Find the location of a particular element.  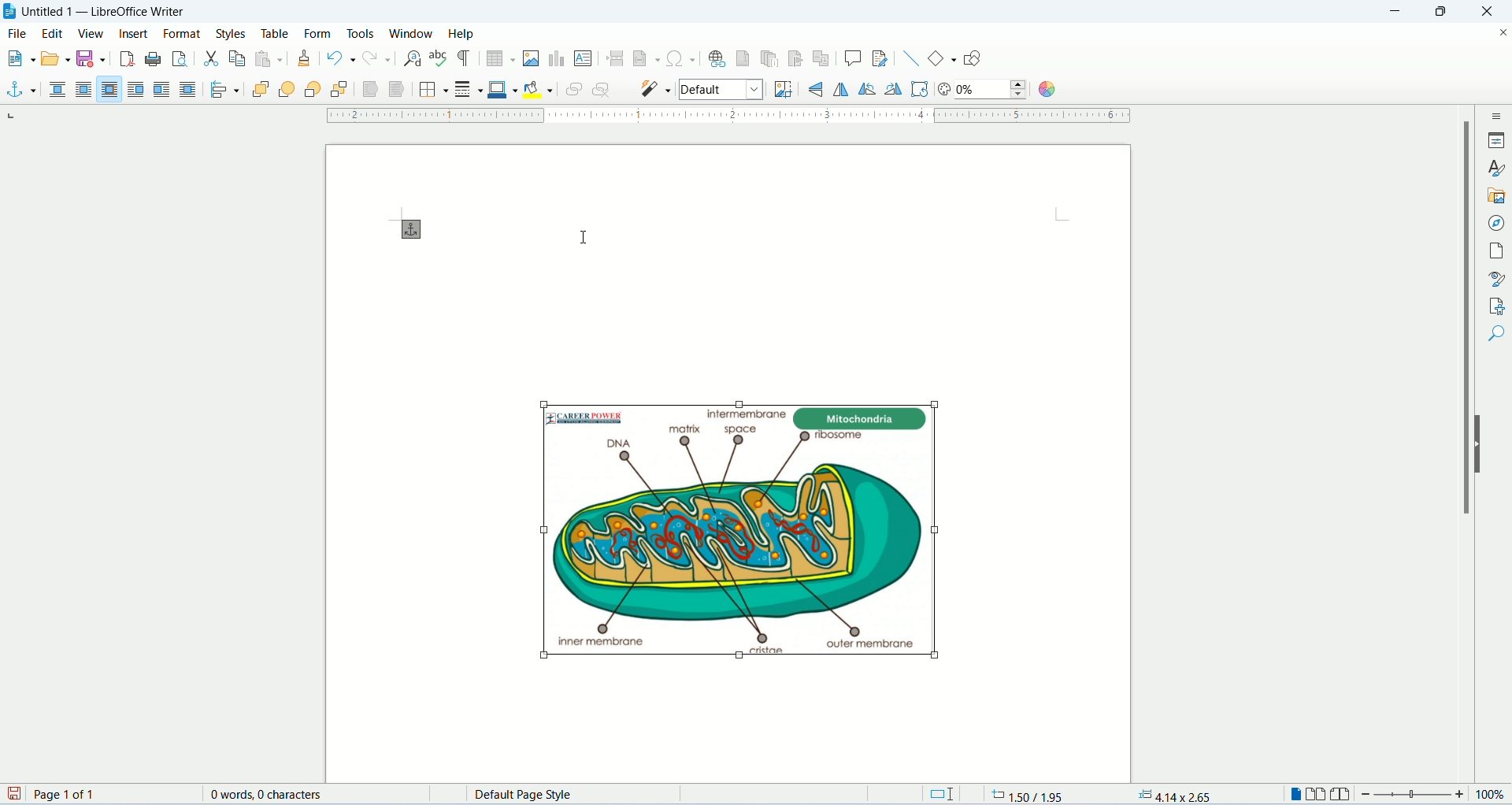

rotate is located at coordinates (921, 90).